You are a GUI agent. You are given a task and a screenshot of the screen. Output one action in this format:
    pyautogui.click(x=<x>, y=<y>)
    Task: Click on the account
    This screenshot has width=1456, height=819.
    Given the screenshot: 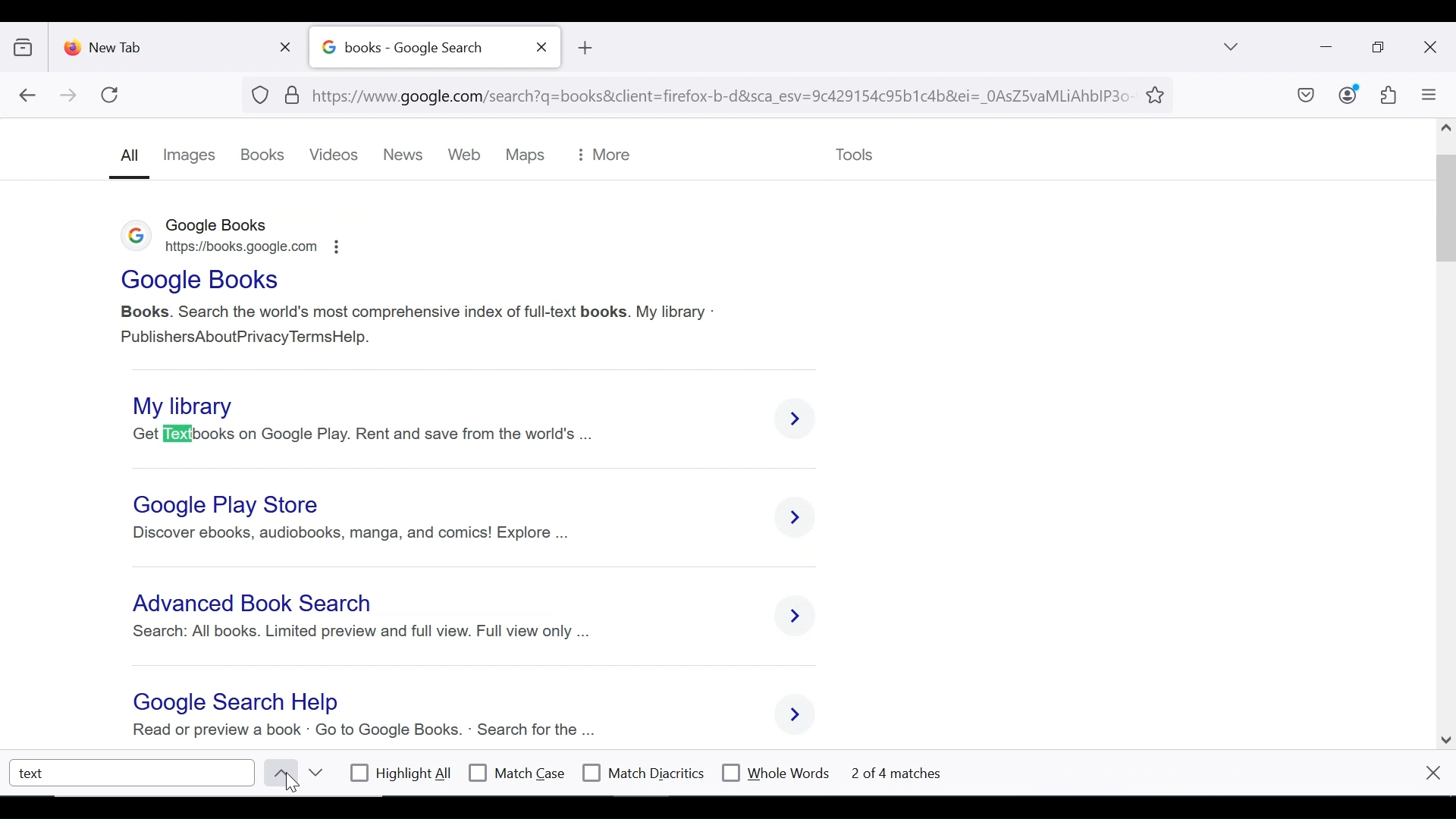 What is the action you would take?
    pyautogui.click(x=1349, y=94)
    